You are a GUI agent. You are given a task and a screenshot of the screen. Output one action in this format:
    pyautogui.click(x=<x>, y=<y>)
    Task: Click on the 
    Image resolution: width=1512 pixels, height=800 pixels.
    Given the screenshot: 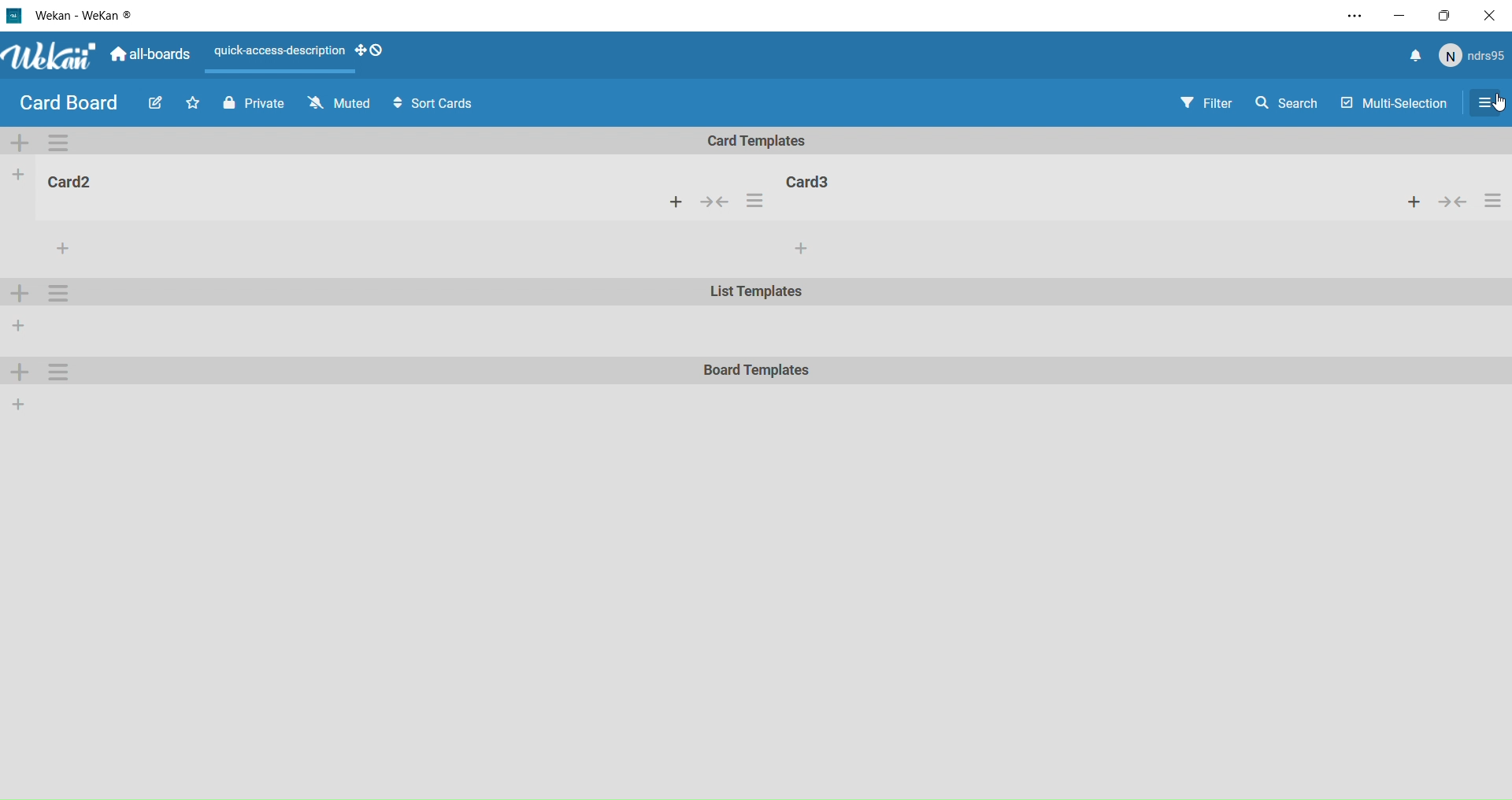 What is the action you would take?
    pyautogui.click(x=62, y=248)
    